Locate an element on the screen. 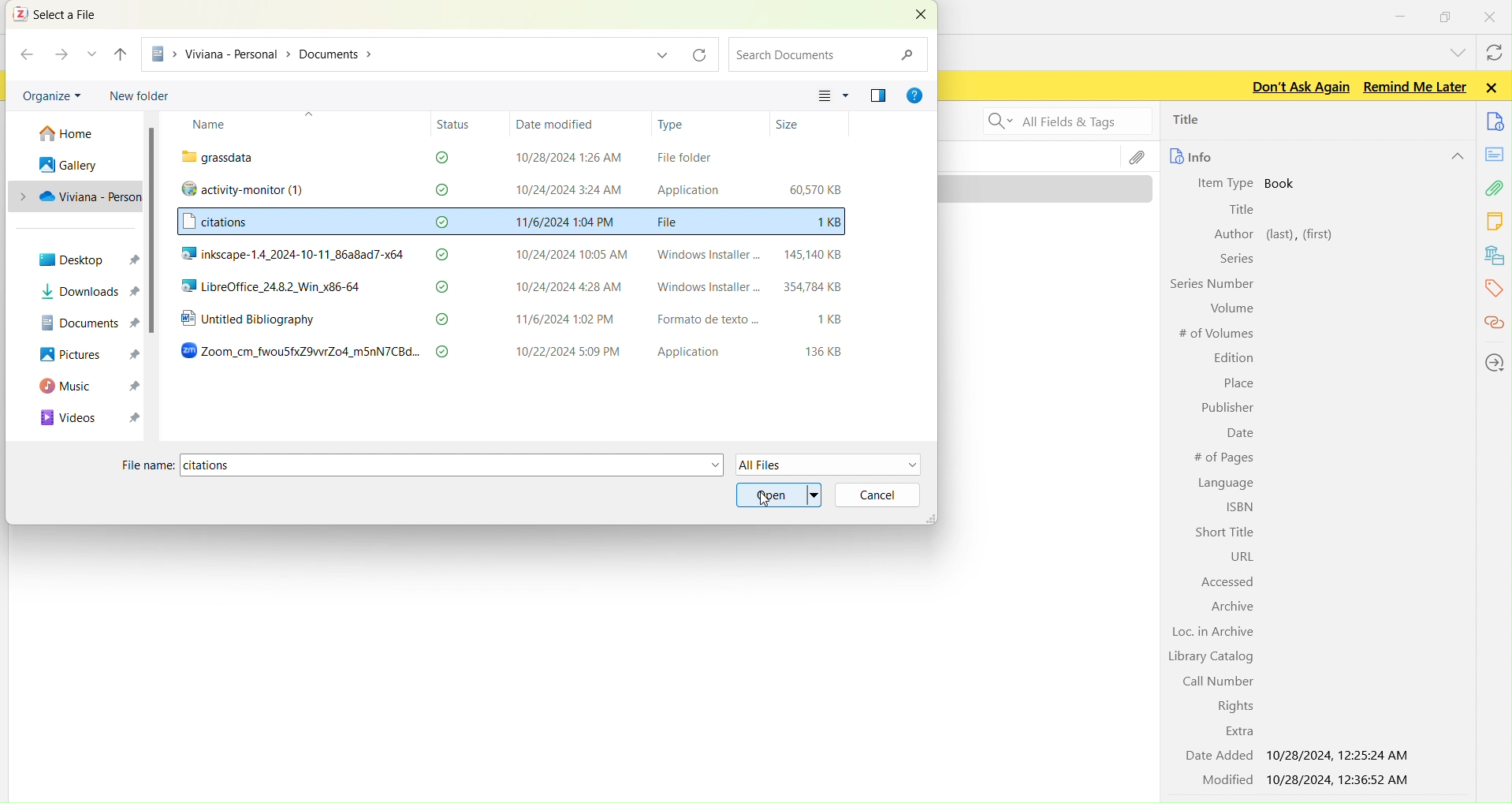 This screenshot has height=803, width=1512. Search all fields and tags is located at coordinates (1063, 121).